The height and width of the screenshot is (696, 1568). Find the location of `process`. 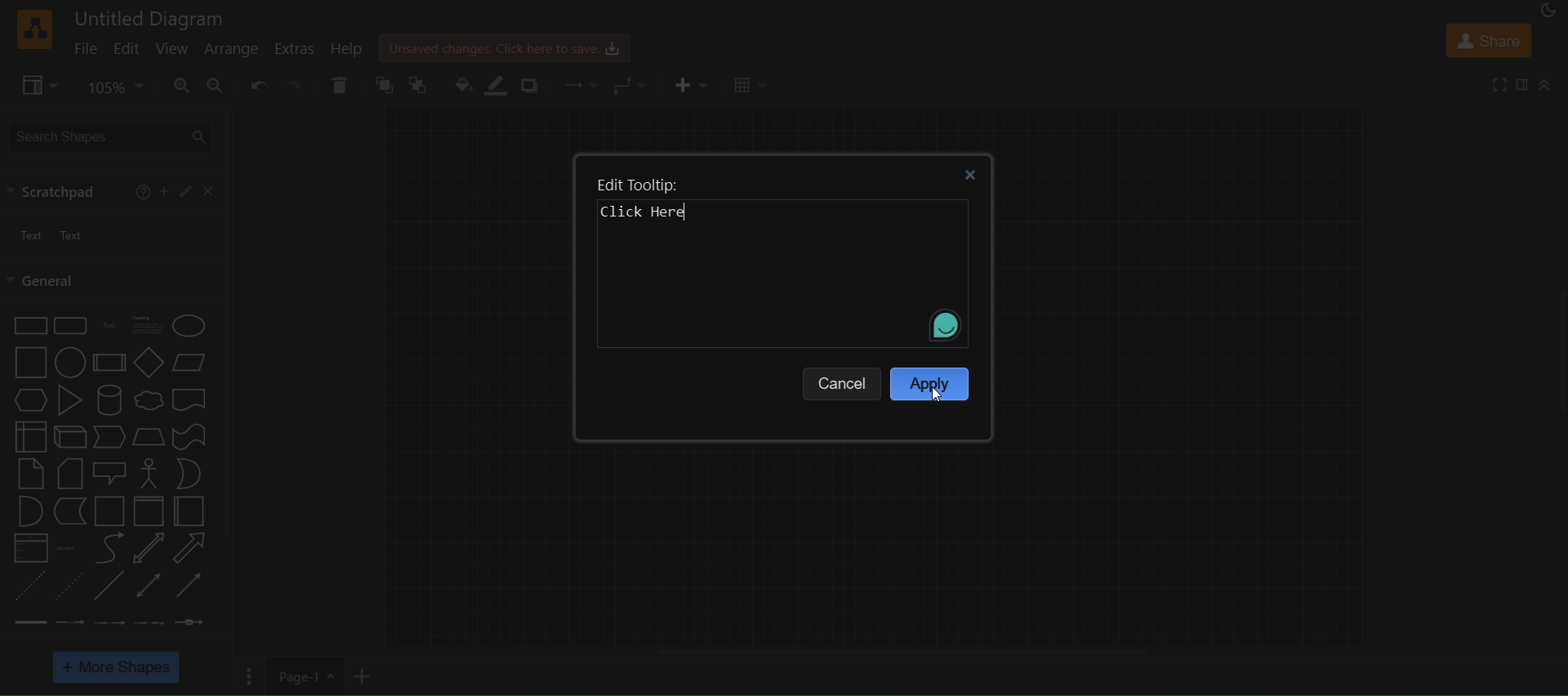

process is located at coordinates (107, 363).